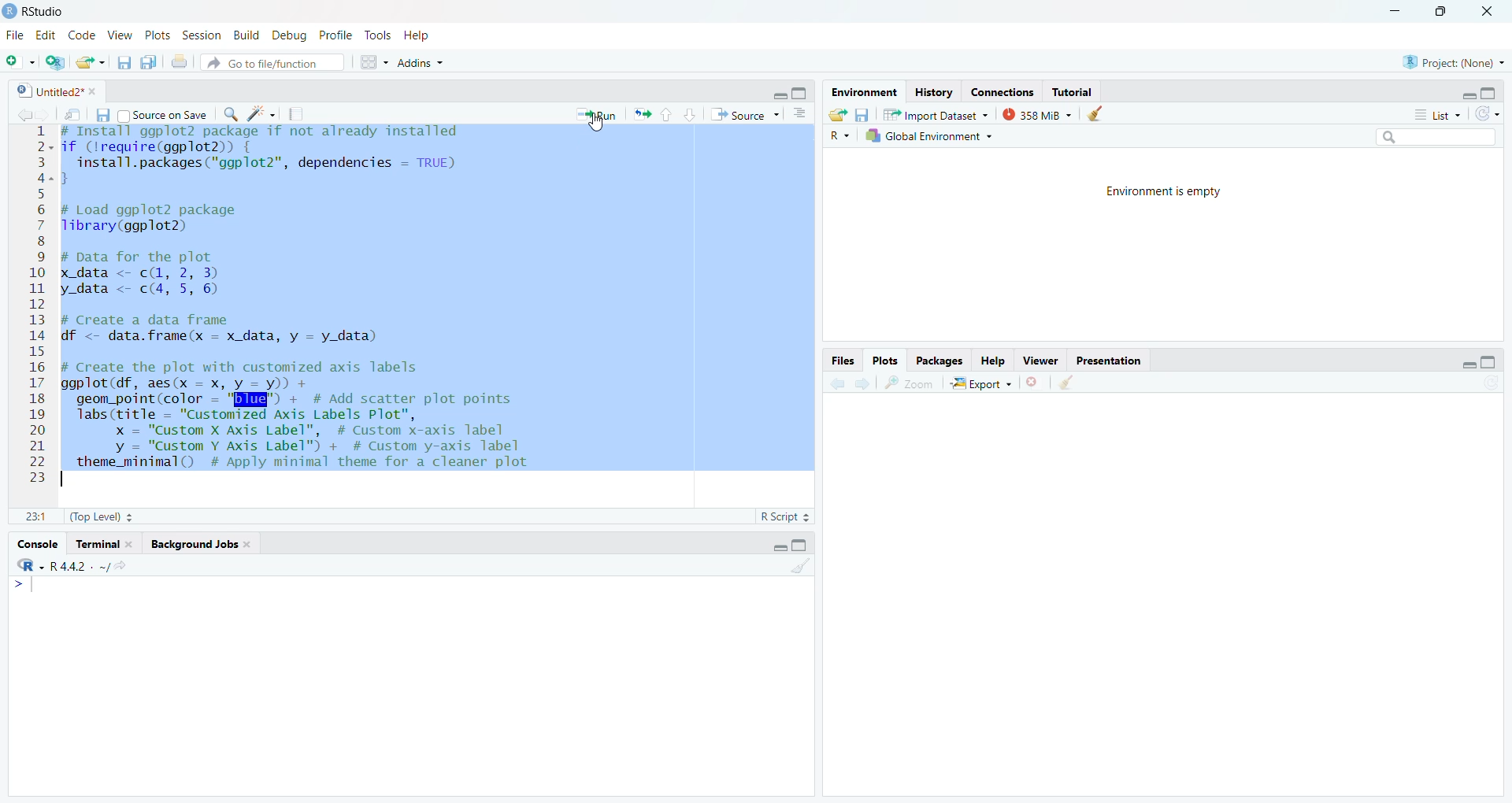  I want to click on save, so click(120, 65).